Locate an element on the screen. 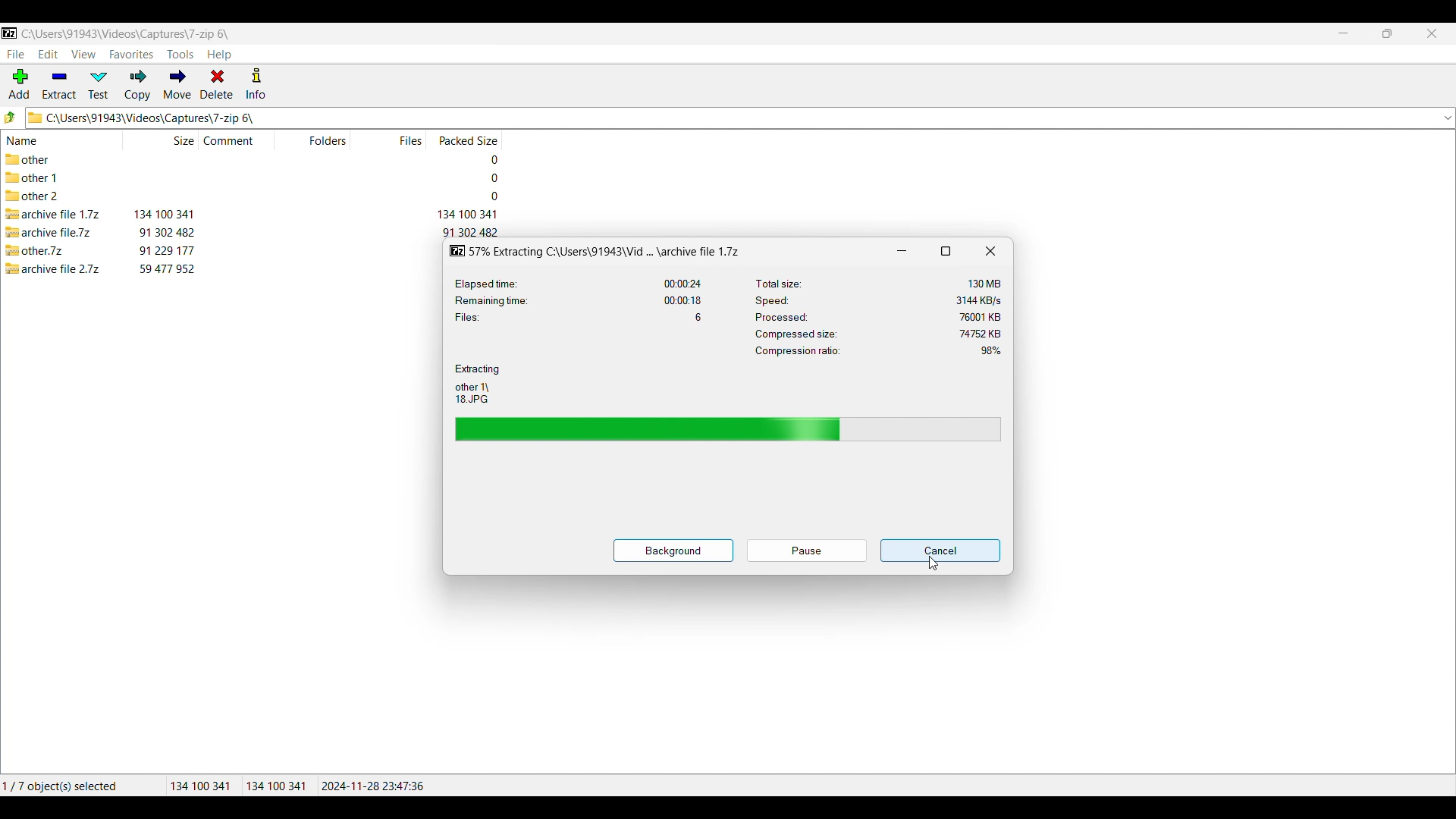 Image resolution: width=1456 pixels, height=819 pixels. other.7z  is located at coordinates (35, 250).